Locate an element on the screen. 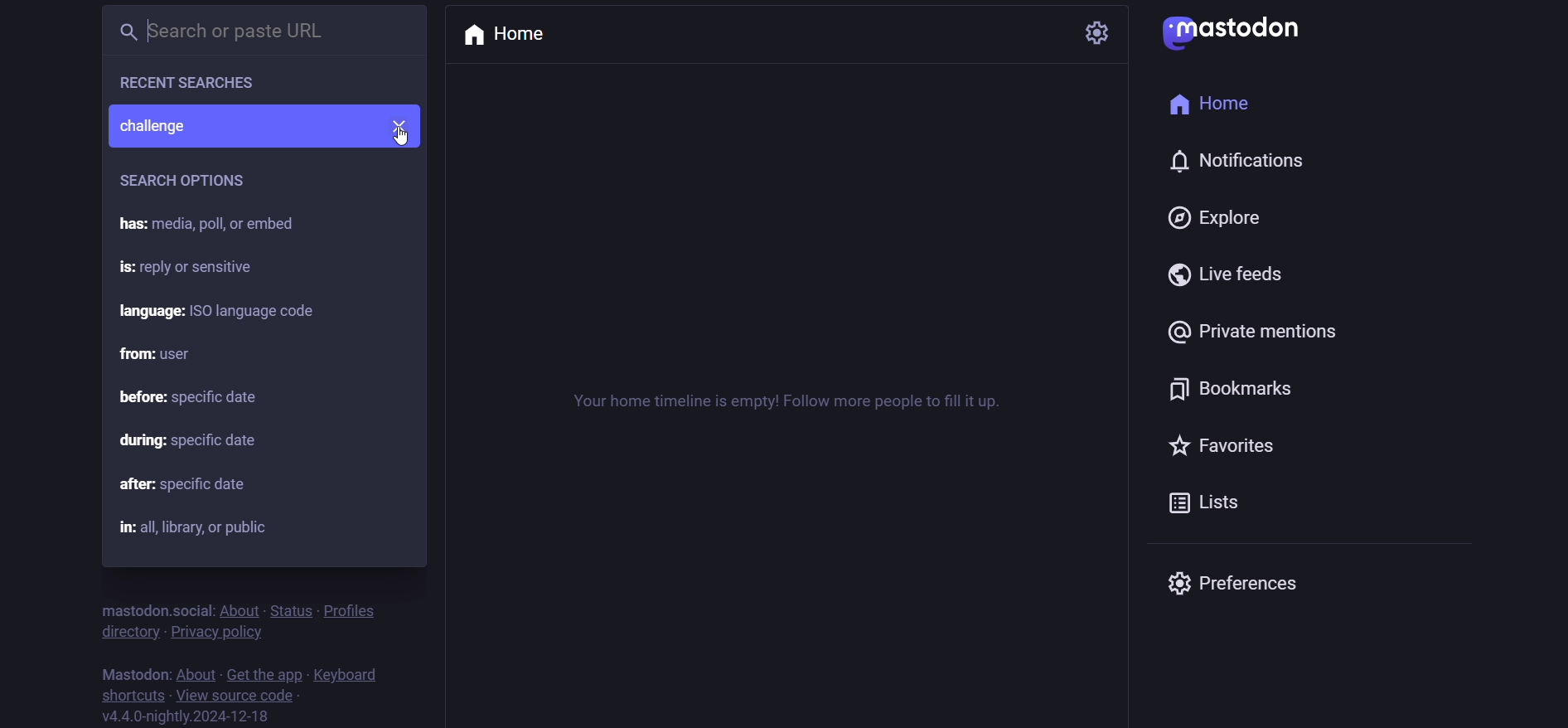 The height and width of the screenshot is (728, 1568). bookmark is located at coordinates (1239, 387).